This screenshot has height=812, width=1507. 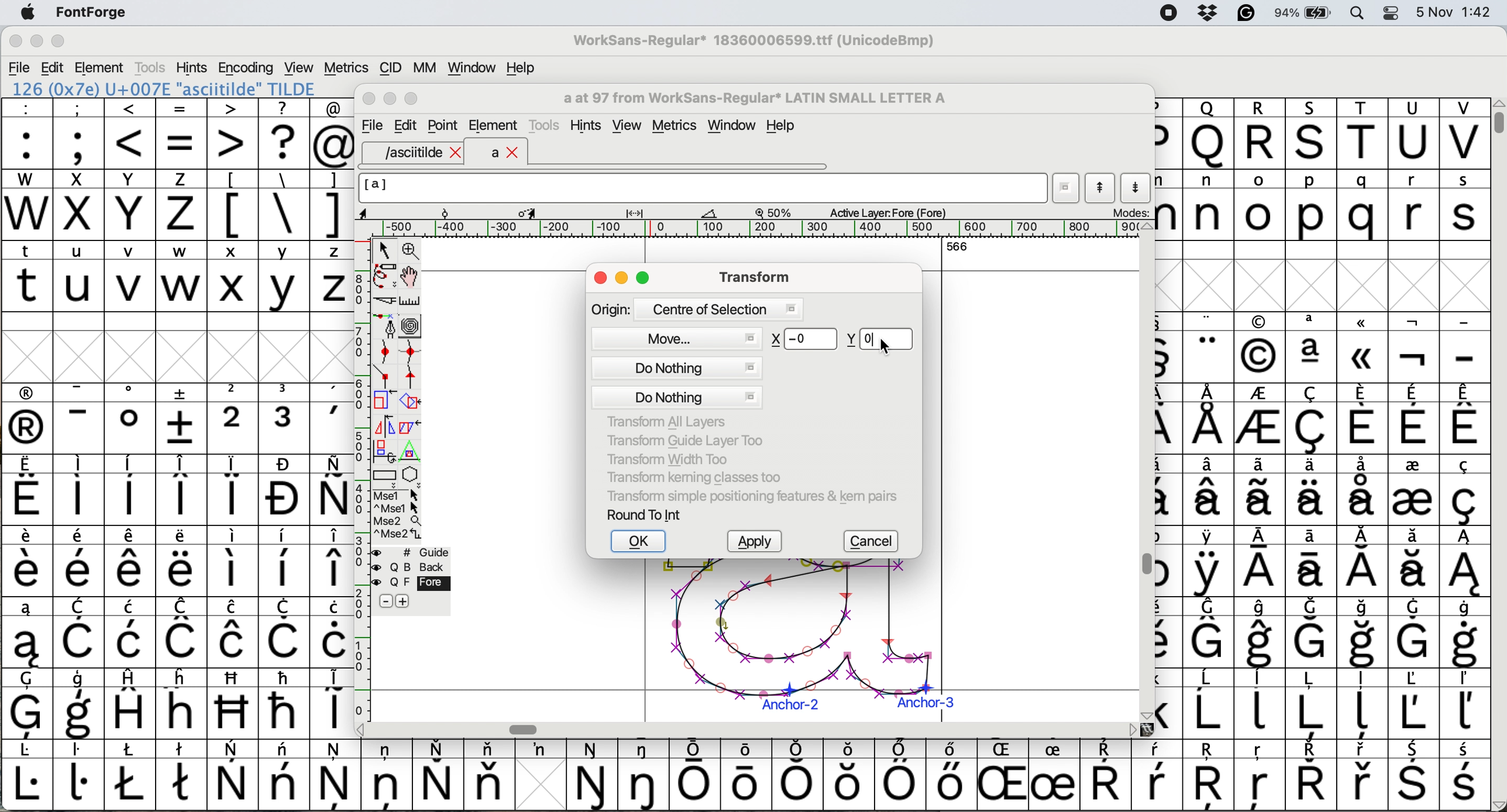 What do you see at coordinates (1211, 776) in the screenshot?
I see `` at bounding box center [1211, 776].